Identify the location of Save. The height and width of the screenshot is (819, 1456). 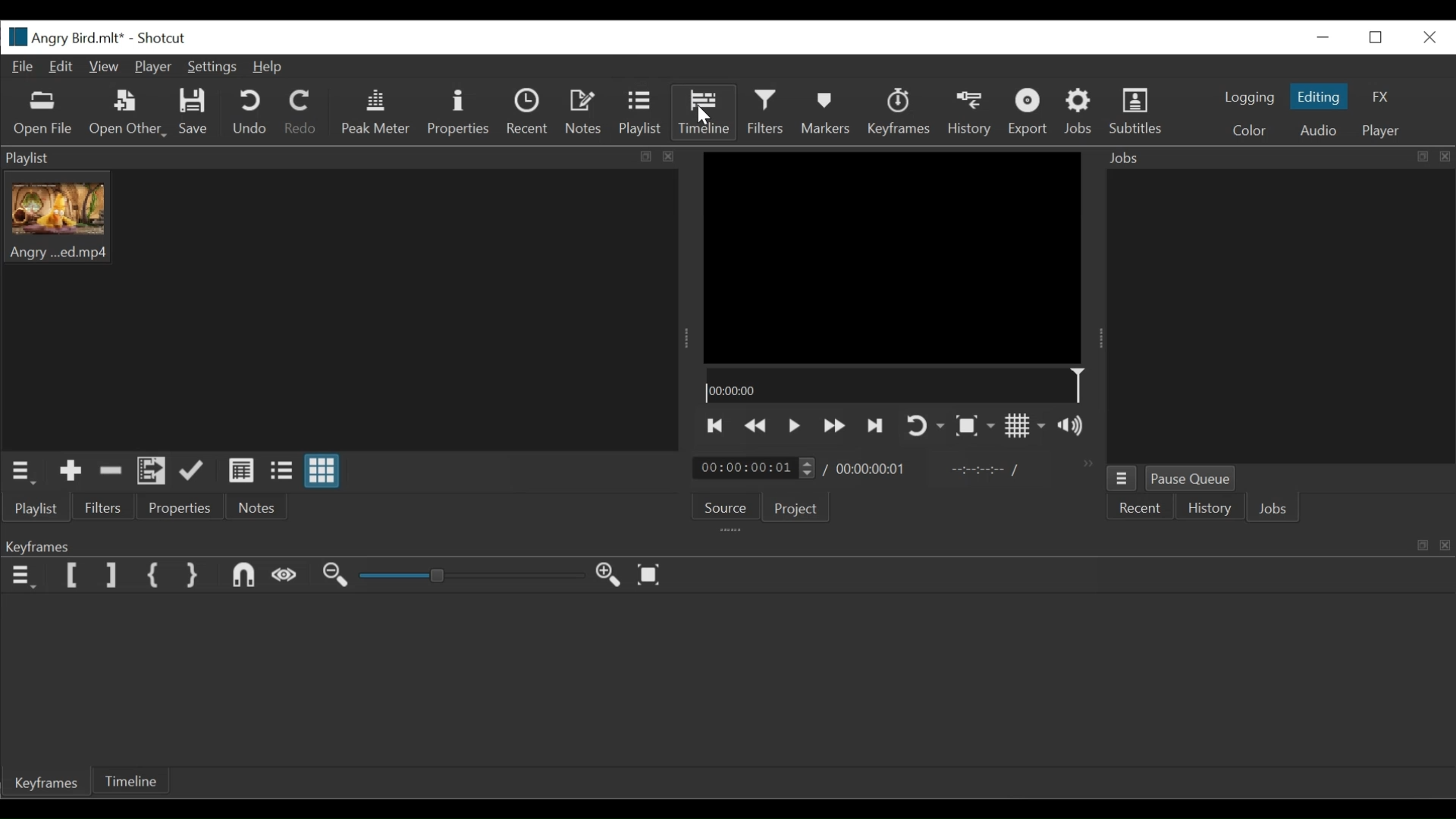
(194, 112).